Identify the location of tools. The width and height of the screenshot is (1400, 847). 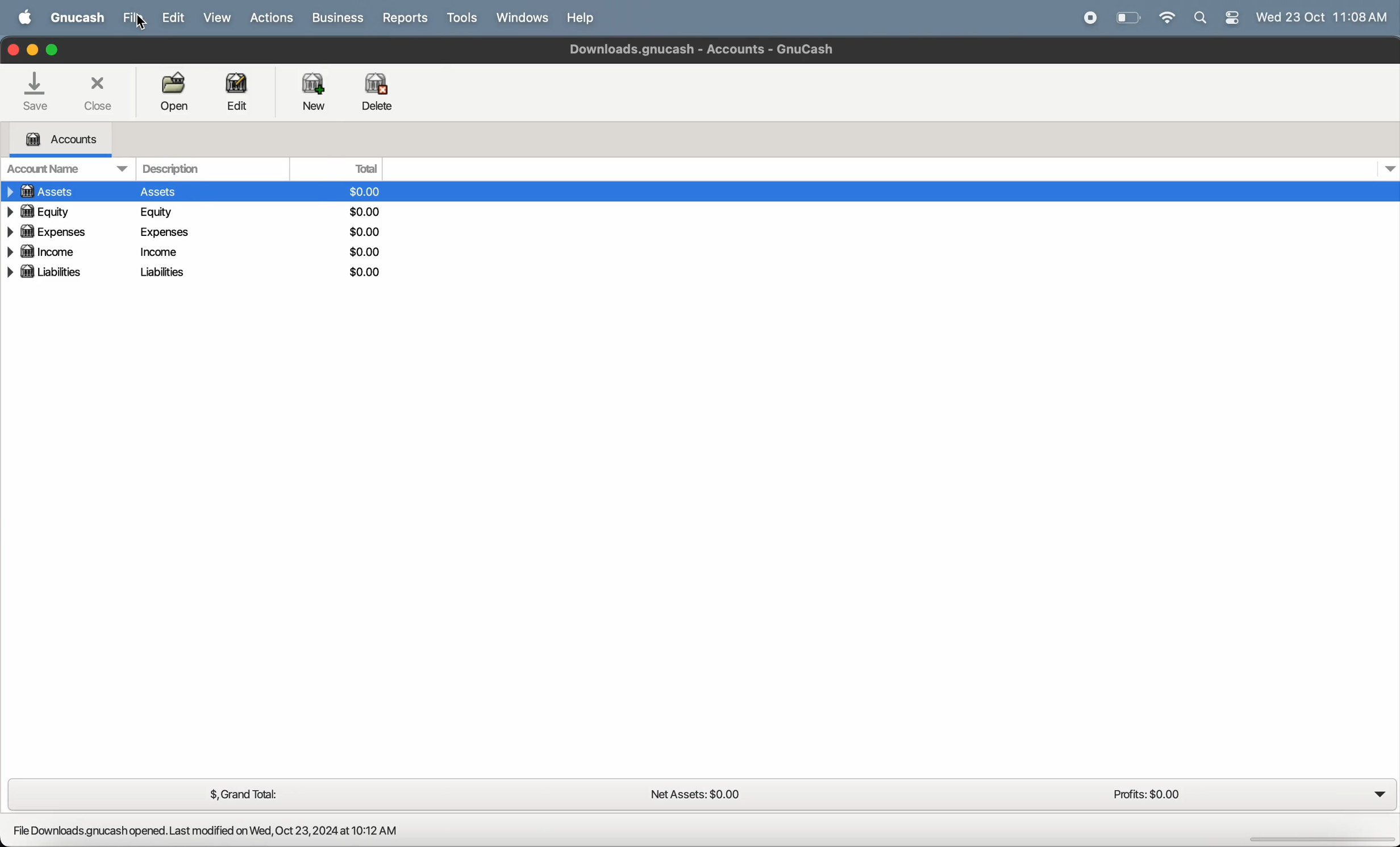
(458, 17).